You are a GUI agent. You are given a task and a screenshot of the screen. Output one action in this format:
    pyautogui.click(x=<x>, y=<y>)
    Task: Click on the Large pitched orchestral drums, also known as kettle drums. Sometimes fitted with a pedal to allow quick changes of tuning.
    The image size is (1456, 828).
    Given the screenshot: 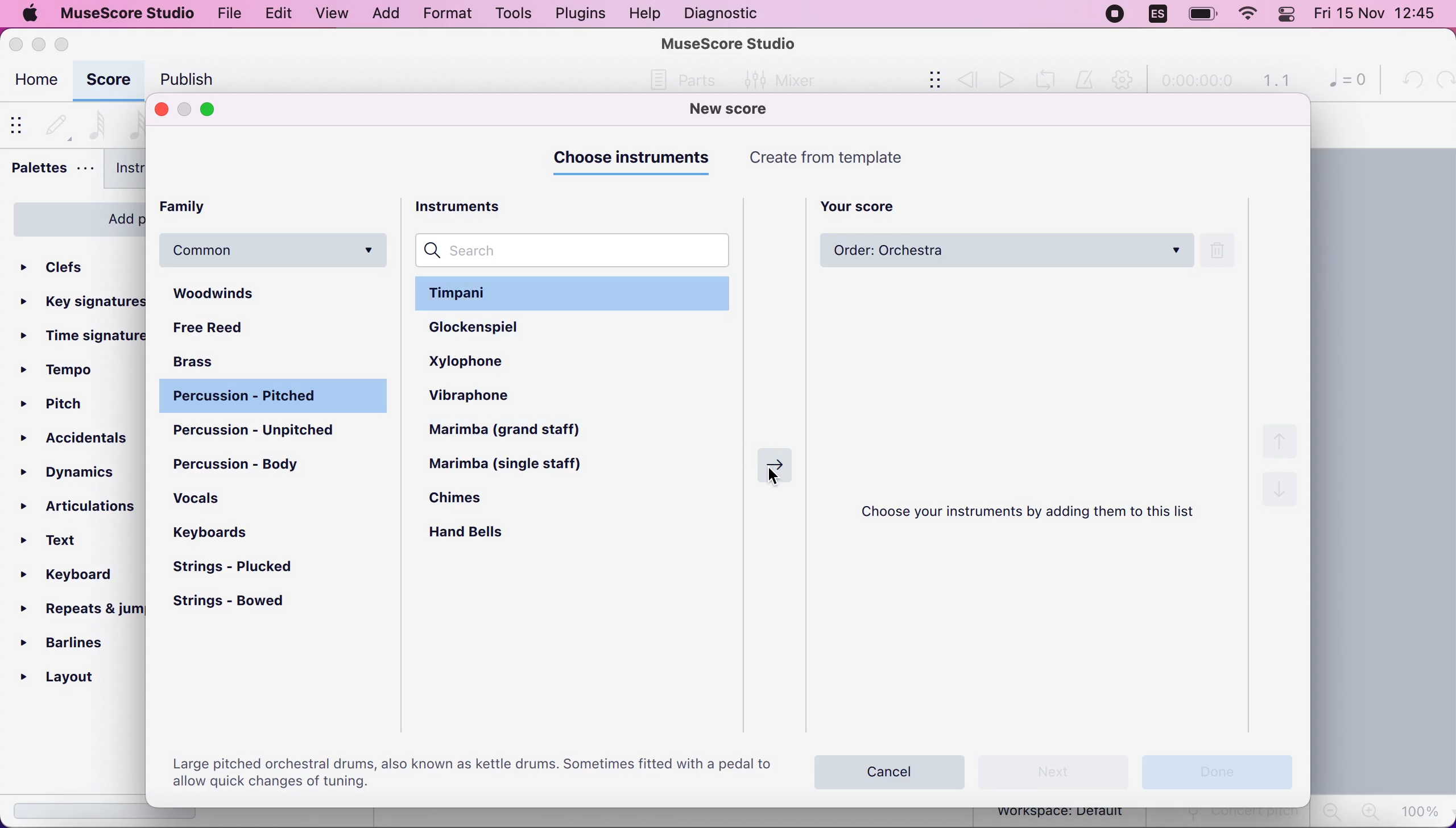 What is the action you would take?
    pyautogui.click(x=469, y=771)
    